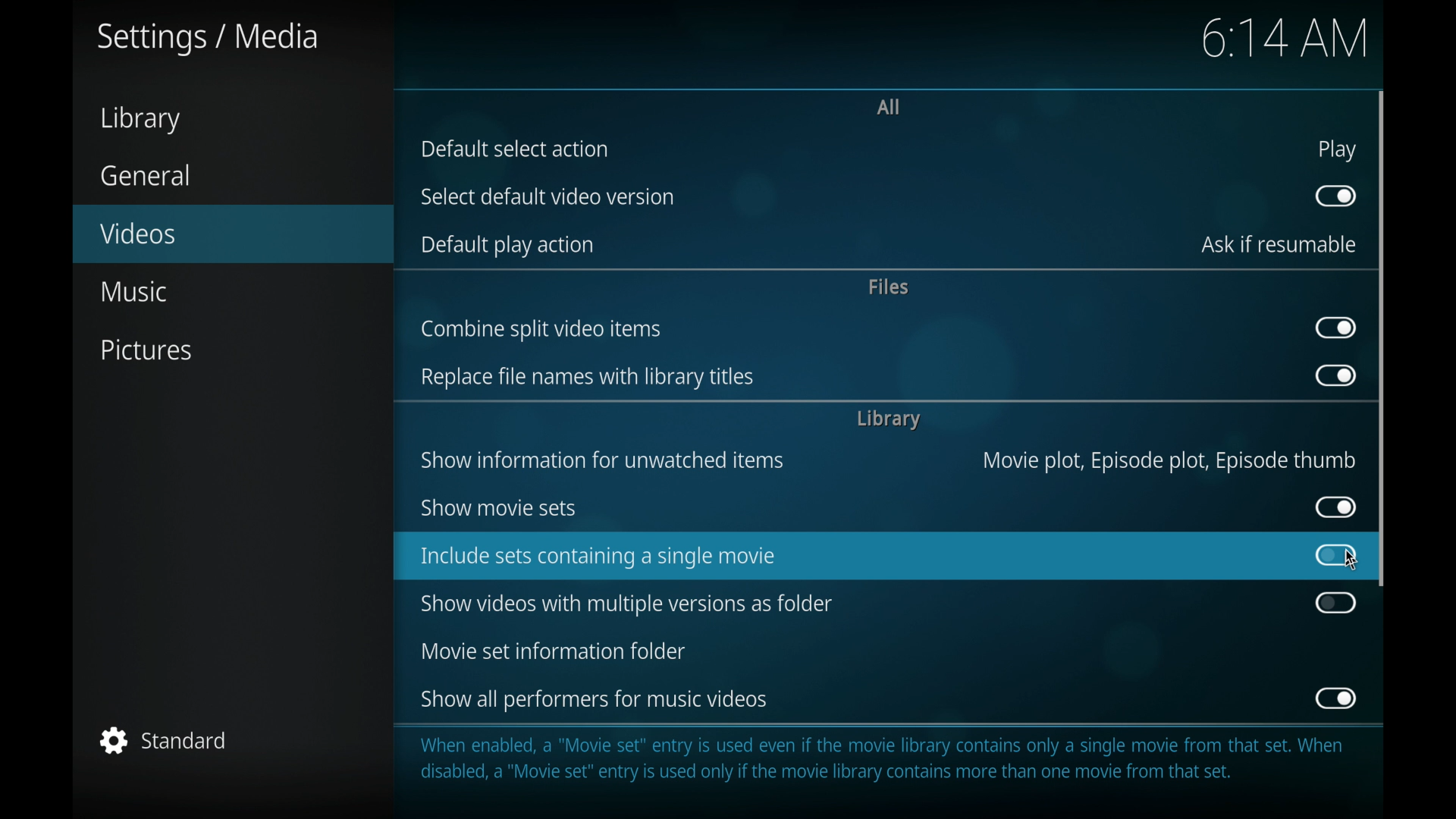  Describe the element at coordinates (1335, 555) in the screenshot. I see `toggle button` at that location.